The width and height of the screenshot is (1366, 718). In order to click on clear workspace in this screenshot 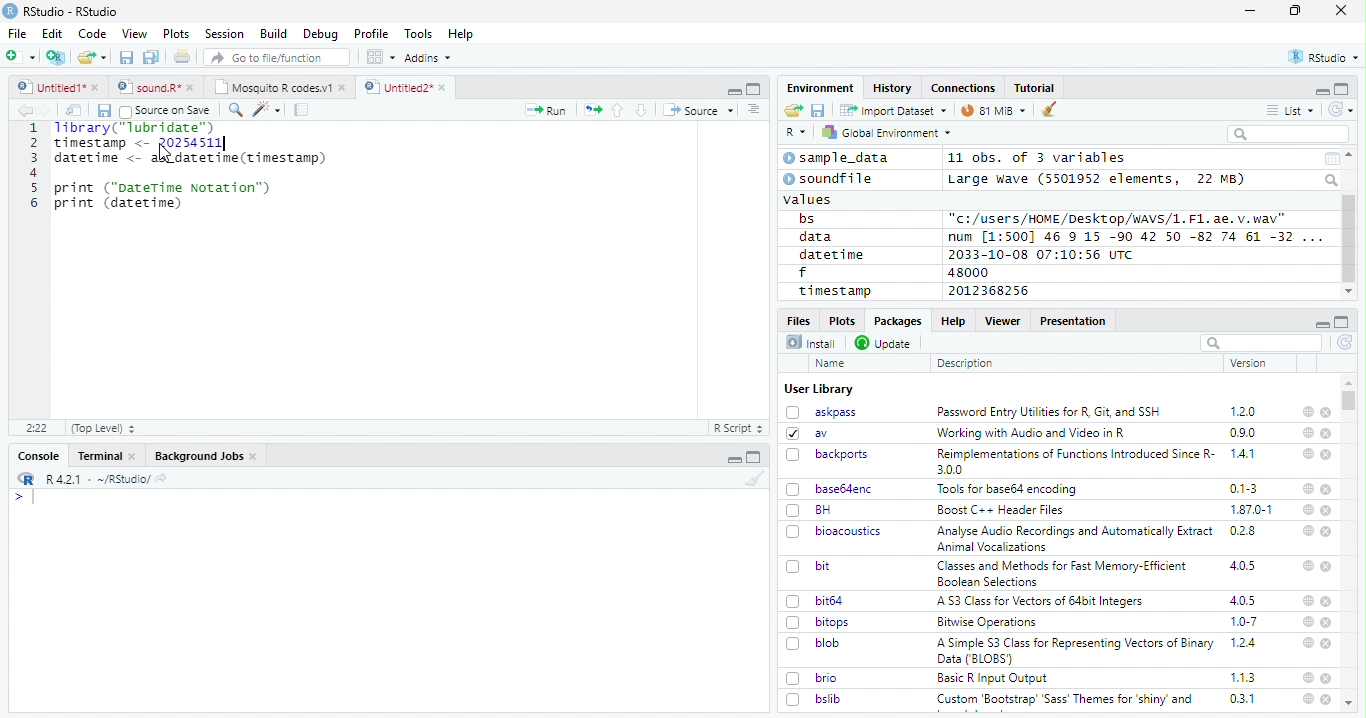, I will do `click(751, 478)`.